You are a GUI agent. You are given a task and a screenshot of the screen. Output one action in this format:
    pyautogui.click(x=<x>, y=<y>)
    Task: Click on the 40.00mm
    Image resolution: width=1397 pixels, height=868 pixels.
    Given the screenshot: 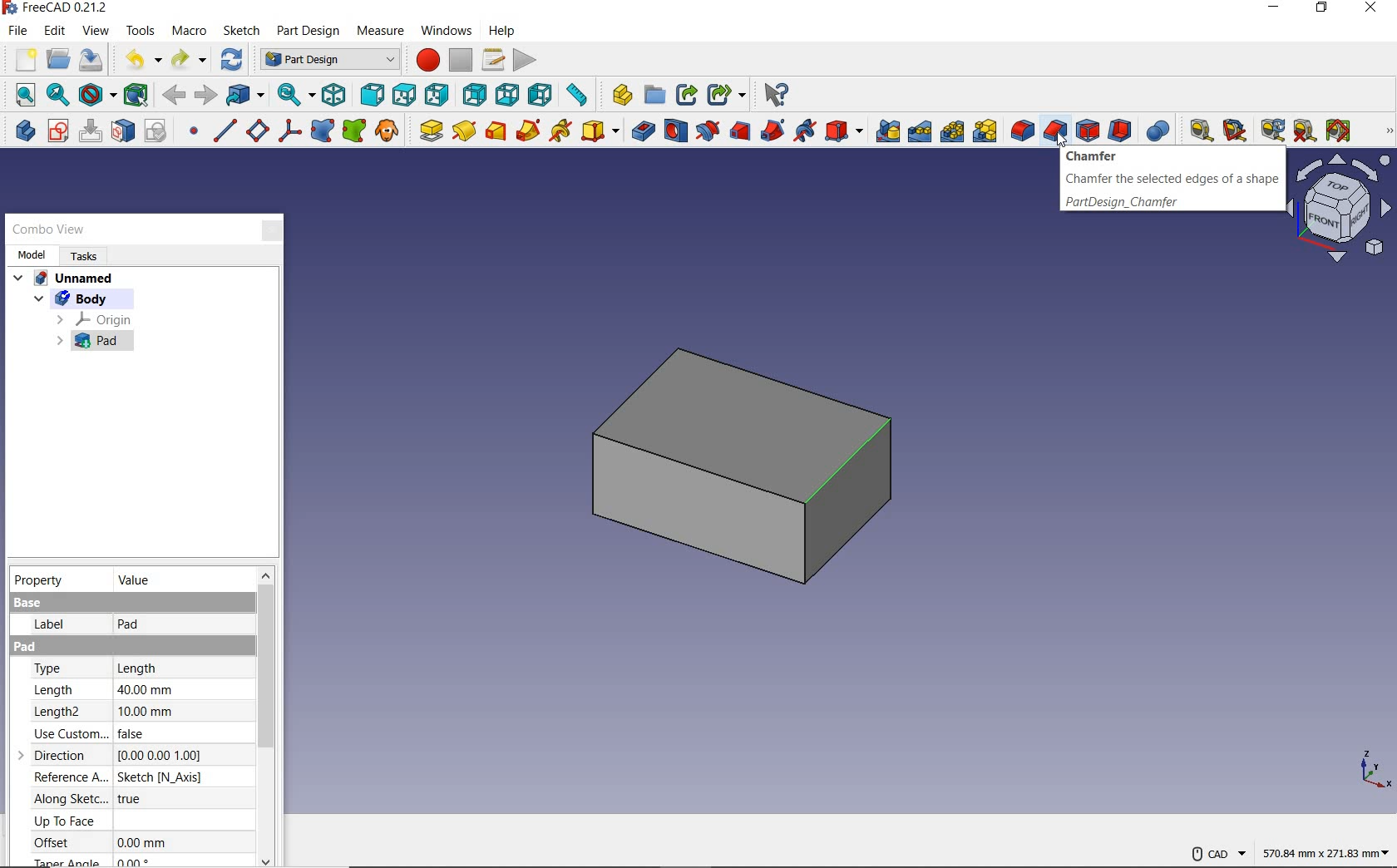 What is the action you would take?
    pyautogui.click(x=146, y=689)
    